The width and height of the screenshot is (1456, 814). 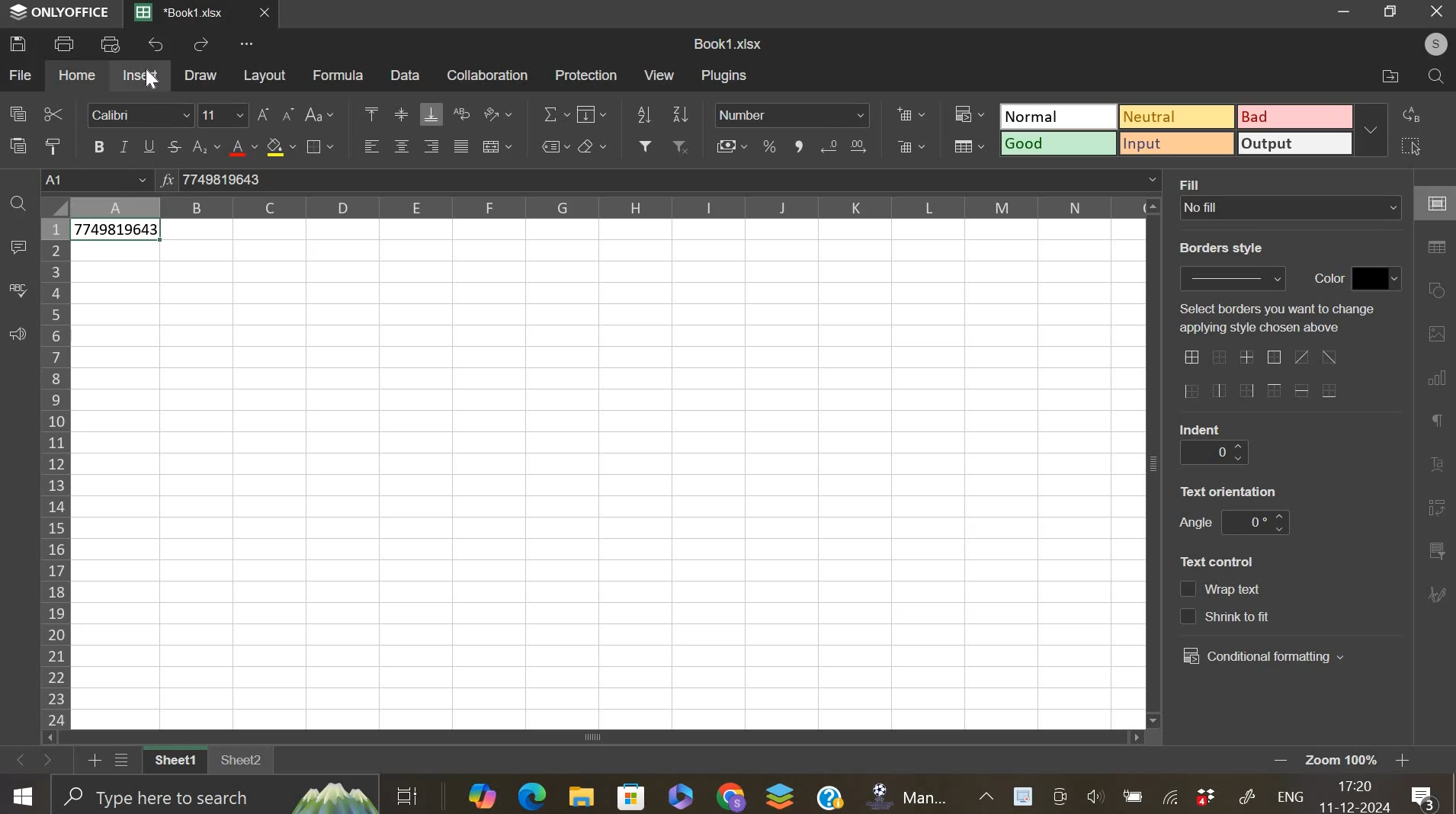 I want to click on font, so click(x=140, y=115).